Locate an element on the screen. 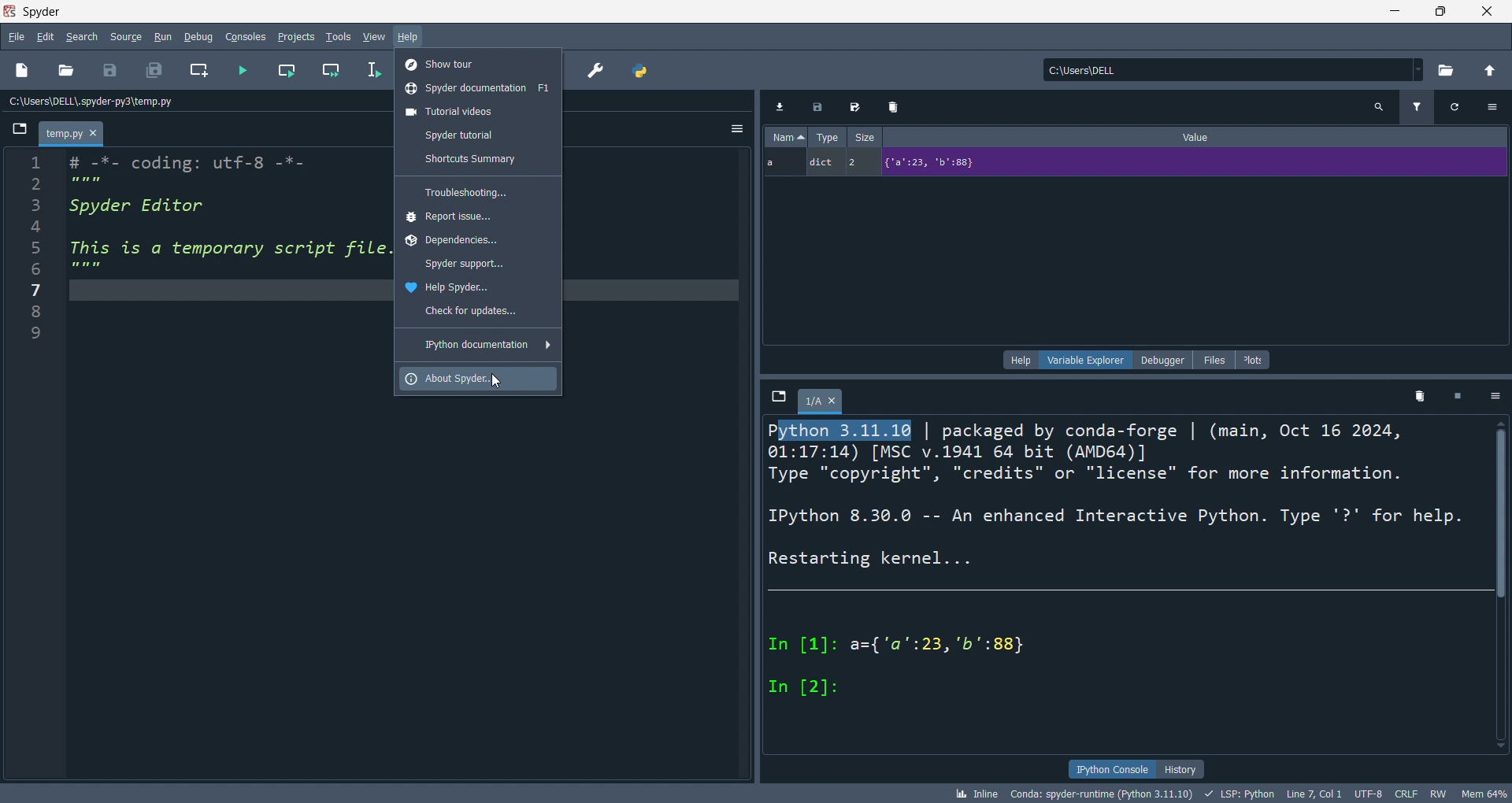  Type is located at coordinates (828, 136).